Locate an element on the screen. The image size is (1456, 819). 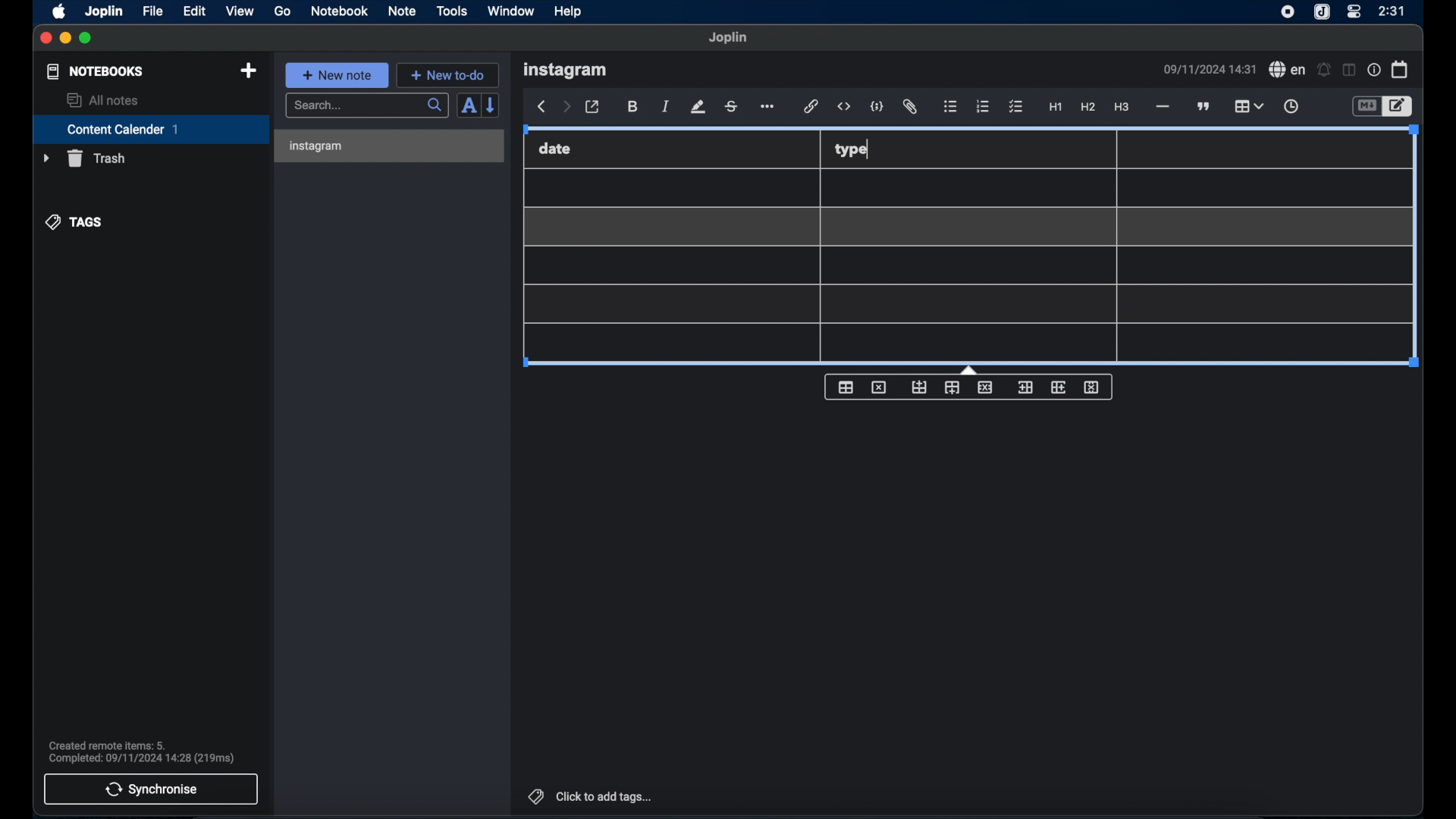
screen recorder icon is located at coordinates (1288, 13).